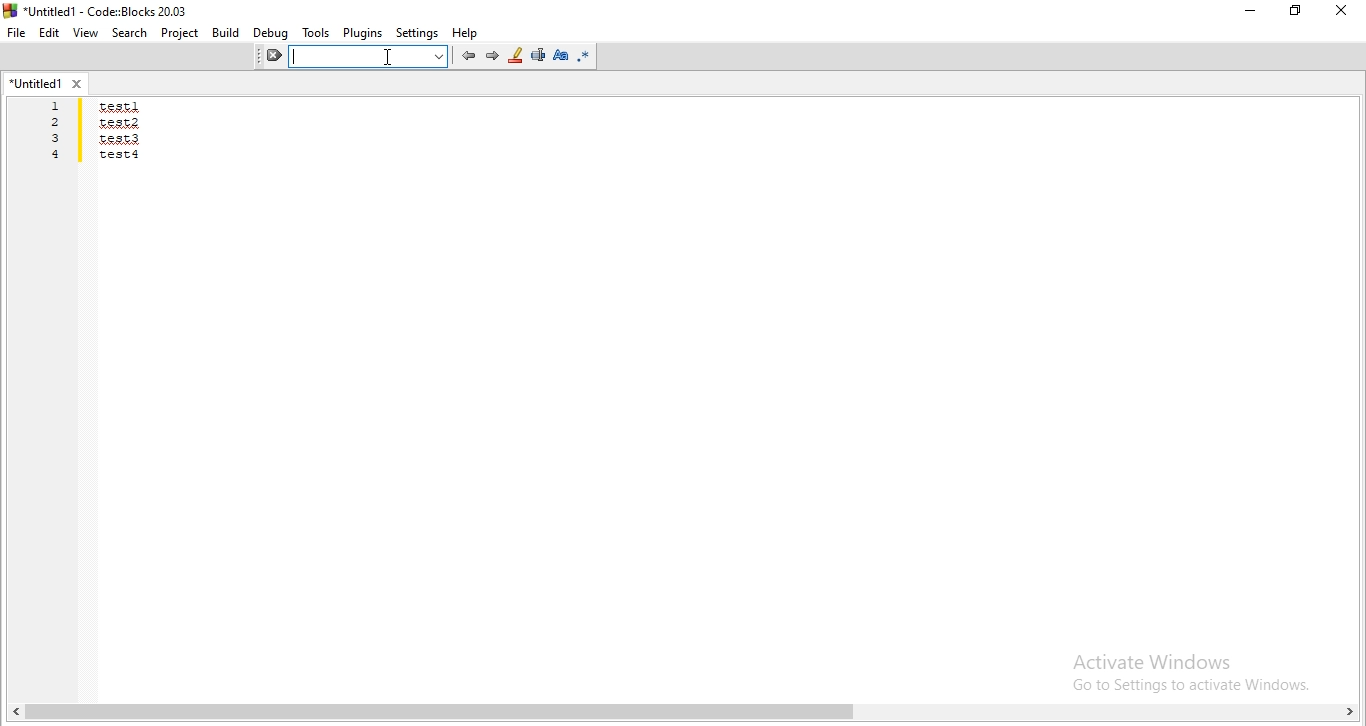 This screenshot has width=1366, height=726. I want to click on Activate Windows
Go to Settings to activate Windows., so click(1185, 667).